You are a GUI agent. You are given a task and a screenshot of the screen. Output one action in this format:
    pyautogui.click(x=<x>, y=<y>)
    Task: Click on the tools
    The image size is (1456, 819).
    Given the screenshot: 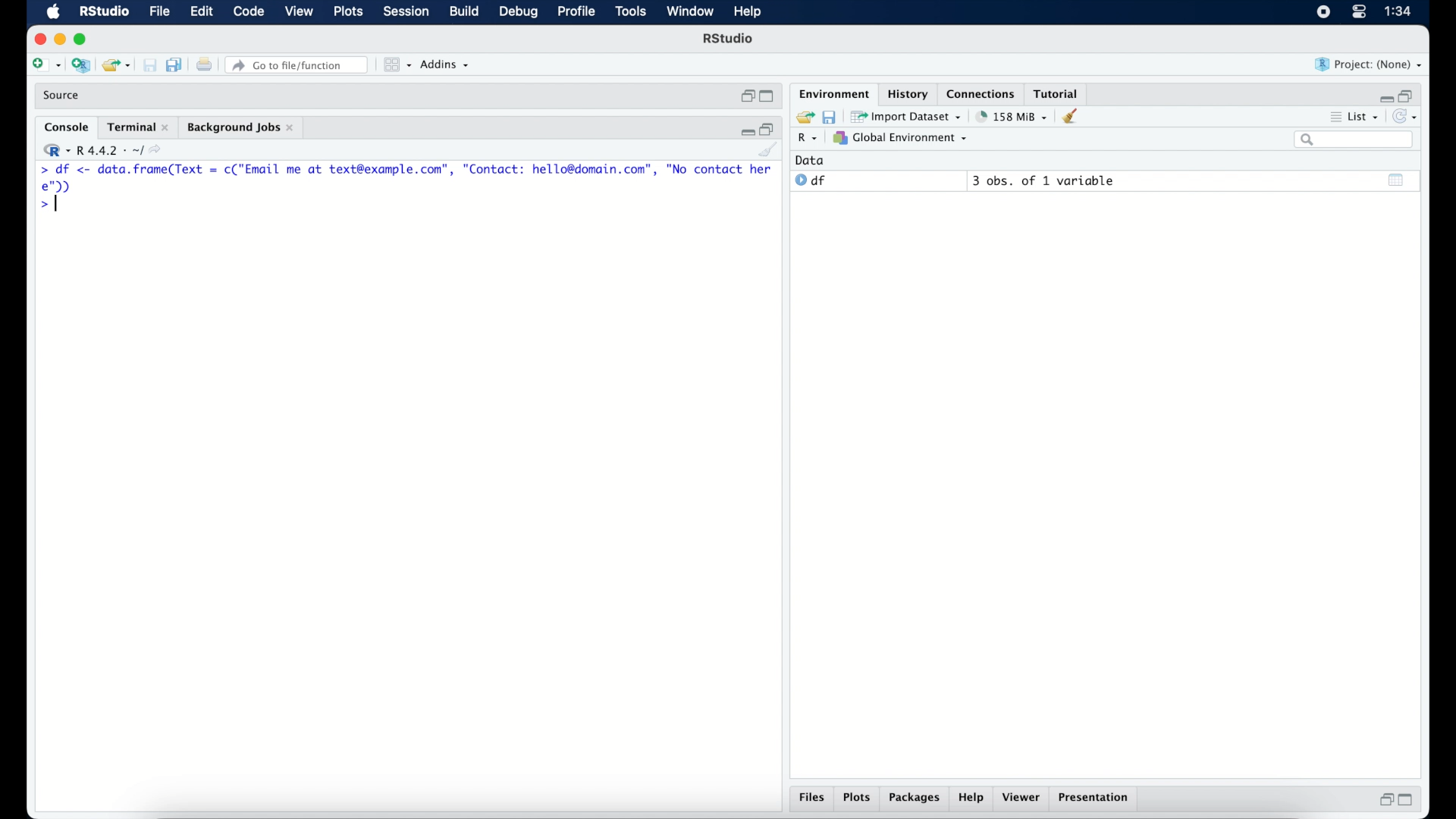 What is the action you would take?
    pyautogui.click(x=629, y=12)
    